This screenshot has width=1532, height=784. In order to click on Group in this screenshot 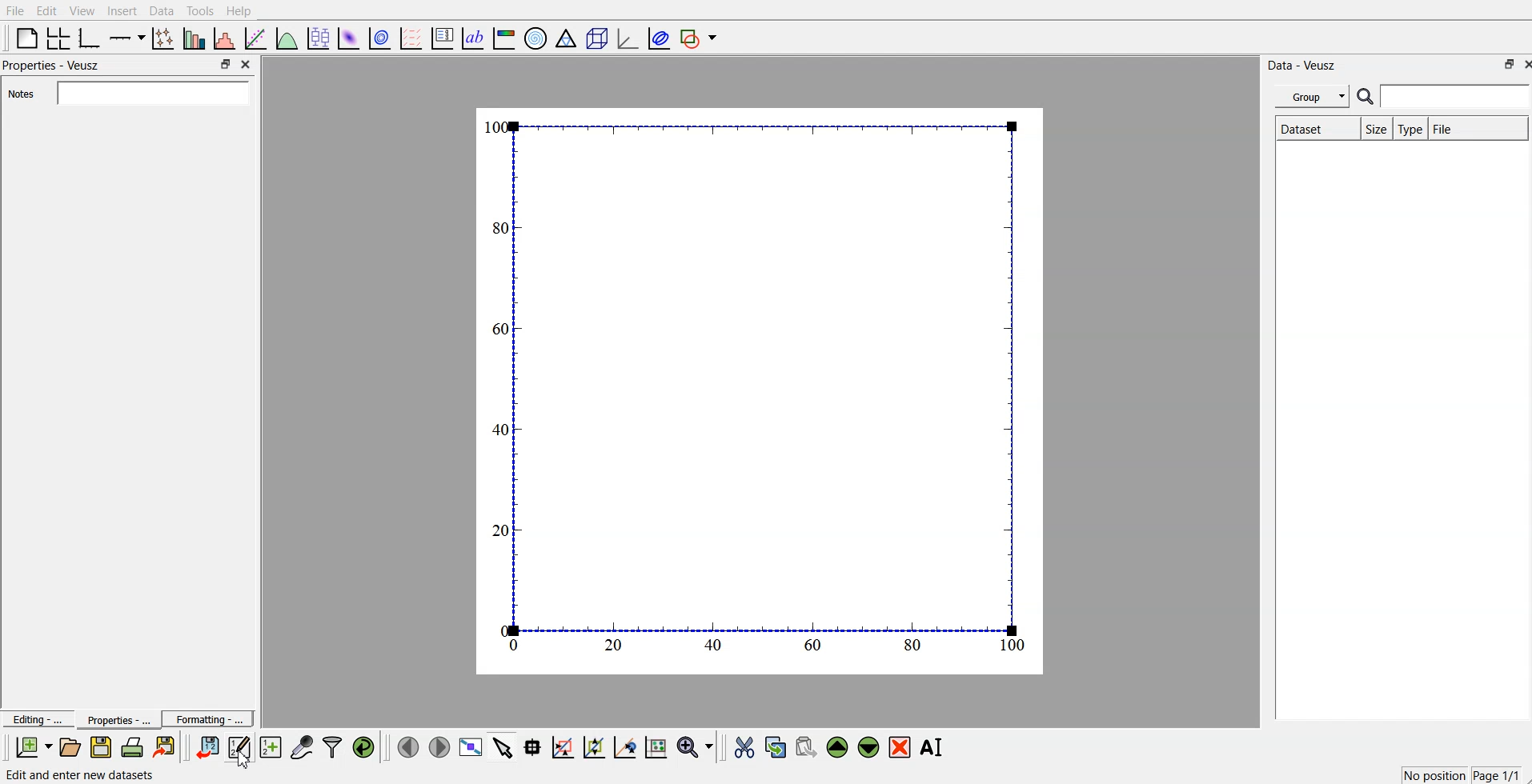, I will do `click(1309, 97)`.